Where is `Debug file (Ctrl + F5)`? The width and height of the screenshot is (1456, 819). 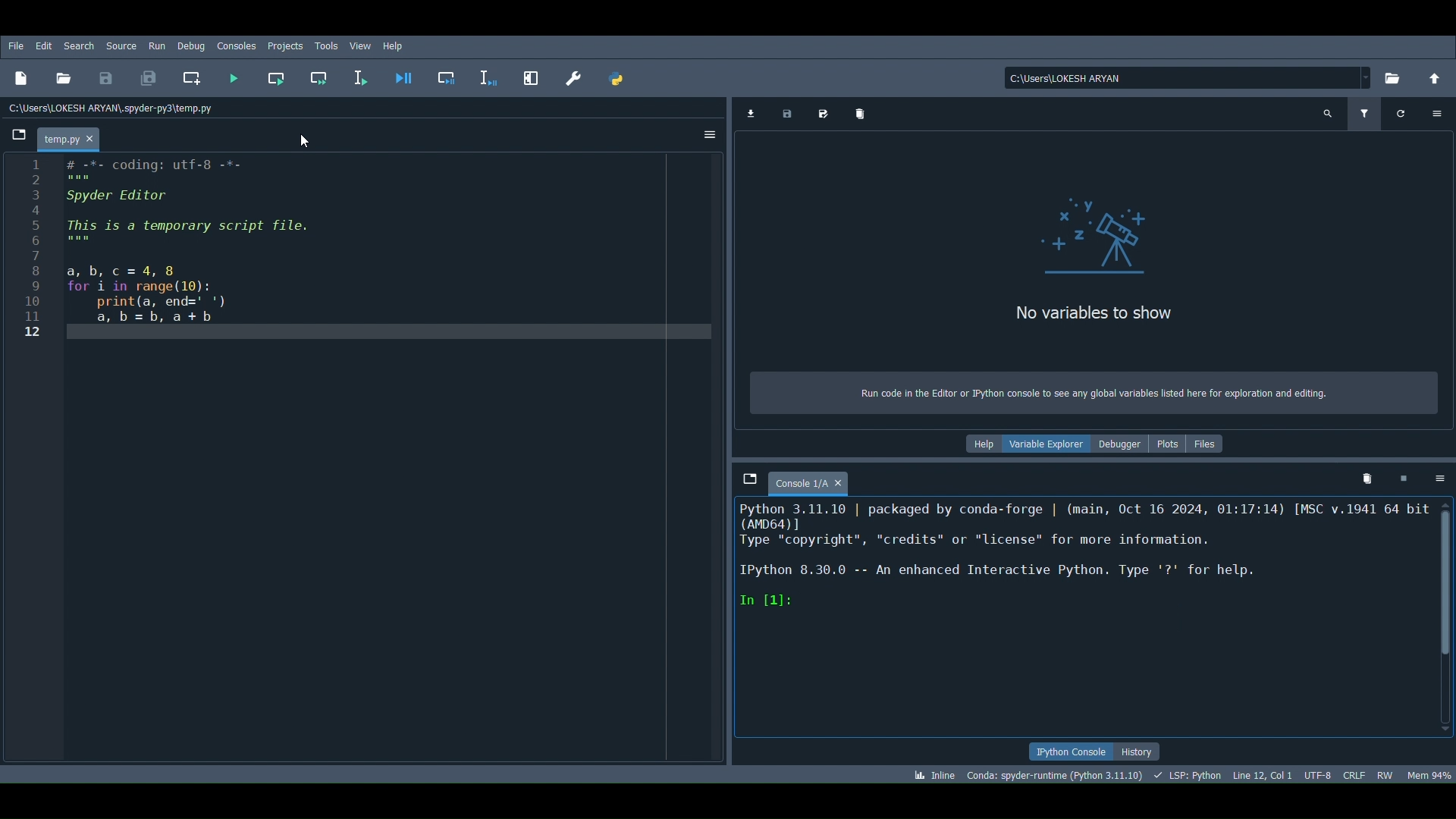 Debug file (Ctrl + F5) is located at coordinates (404, 76).